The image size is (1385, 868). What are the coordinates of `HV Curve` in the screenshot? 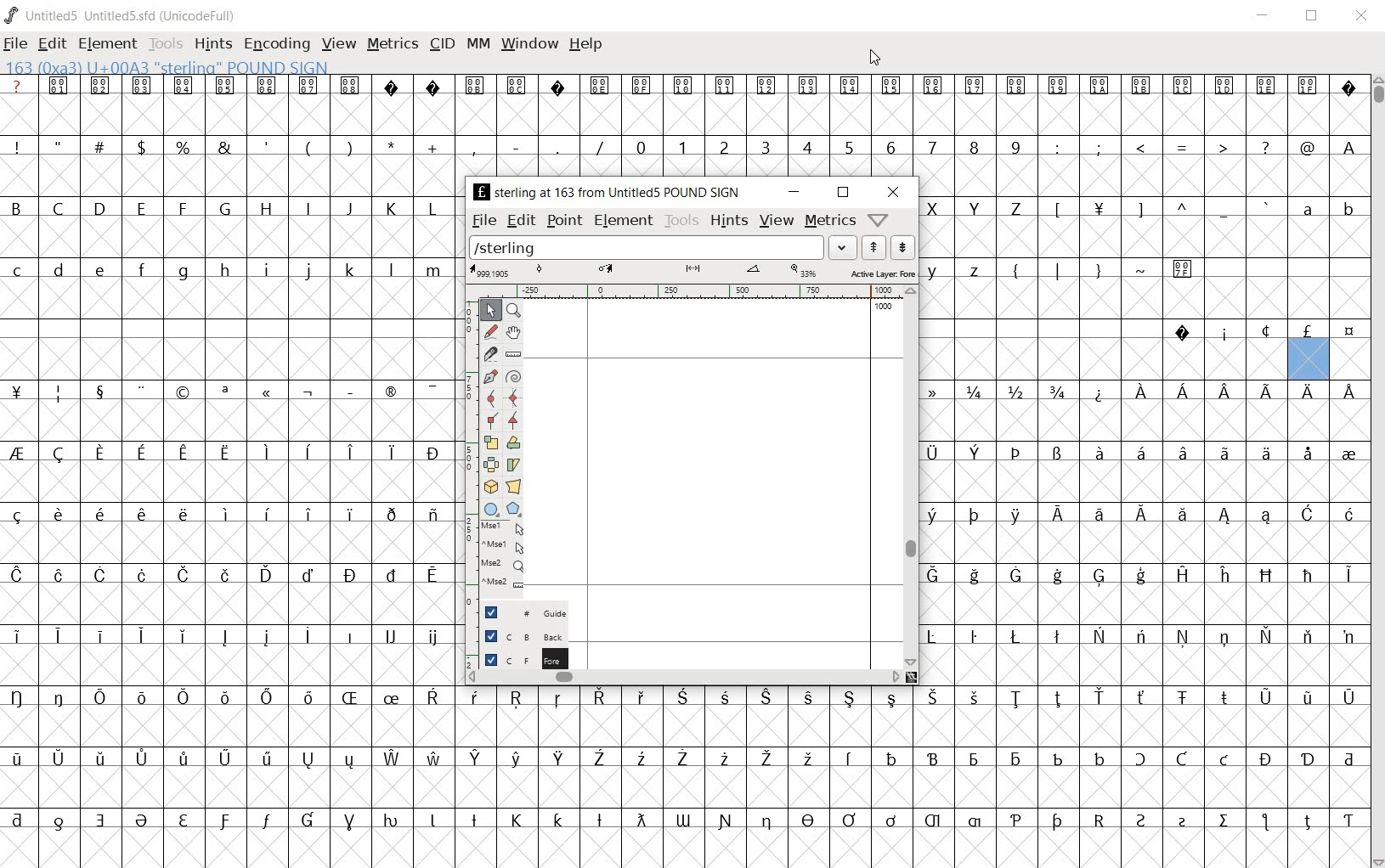 It's located at (517, 397).